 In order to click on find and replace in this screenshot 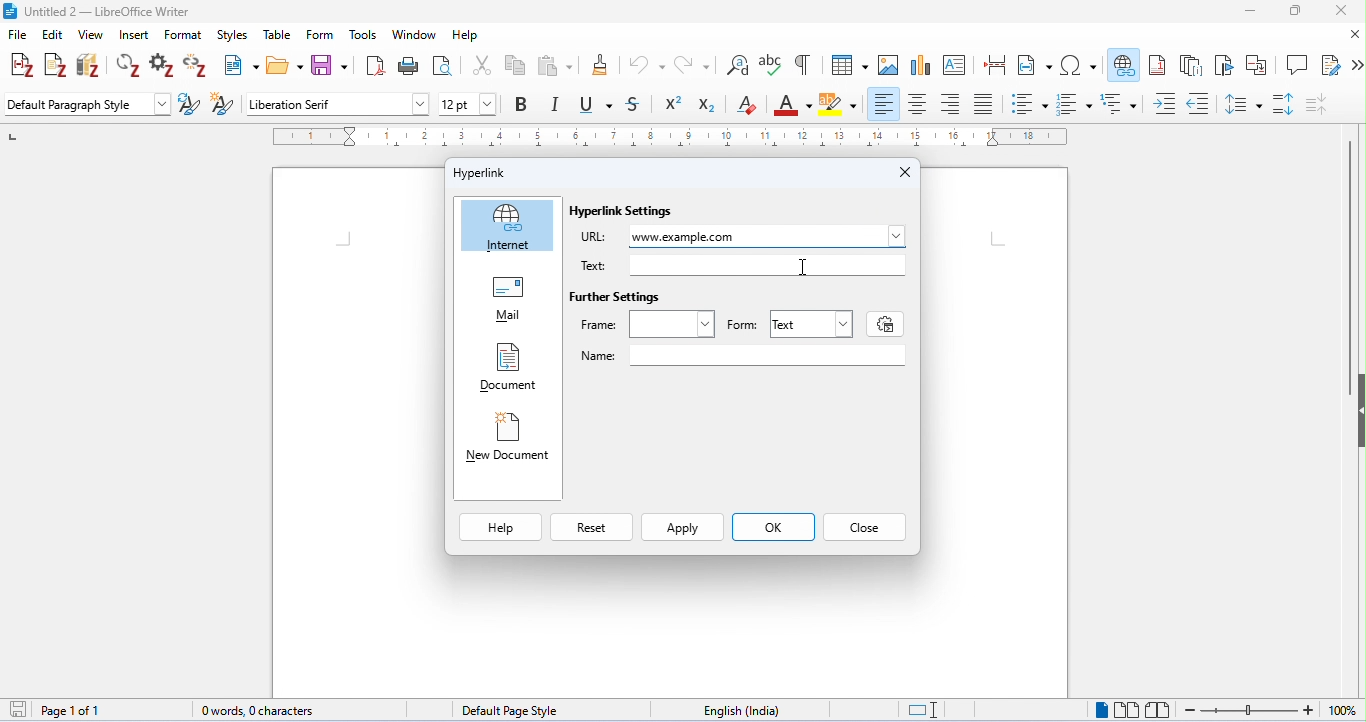, I will do `click(738, 65)`.